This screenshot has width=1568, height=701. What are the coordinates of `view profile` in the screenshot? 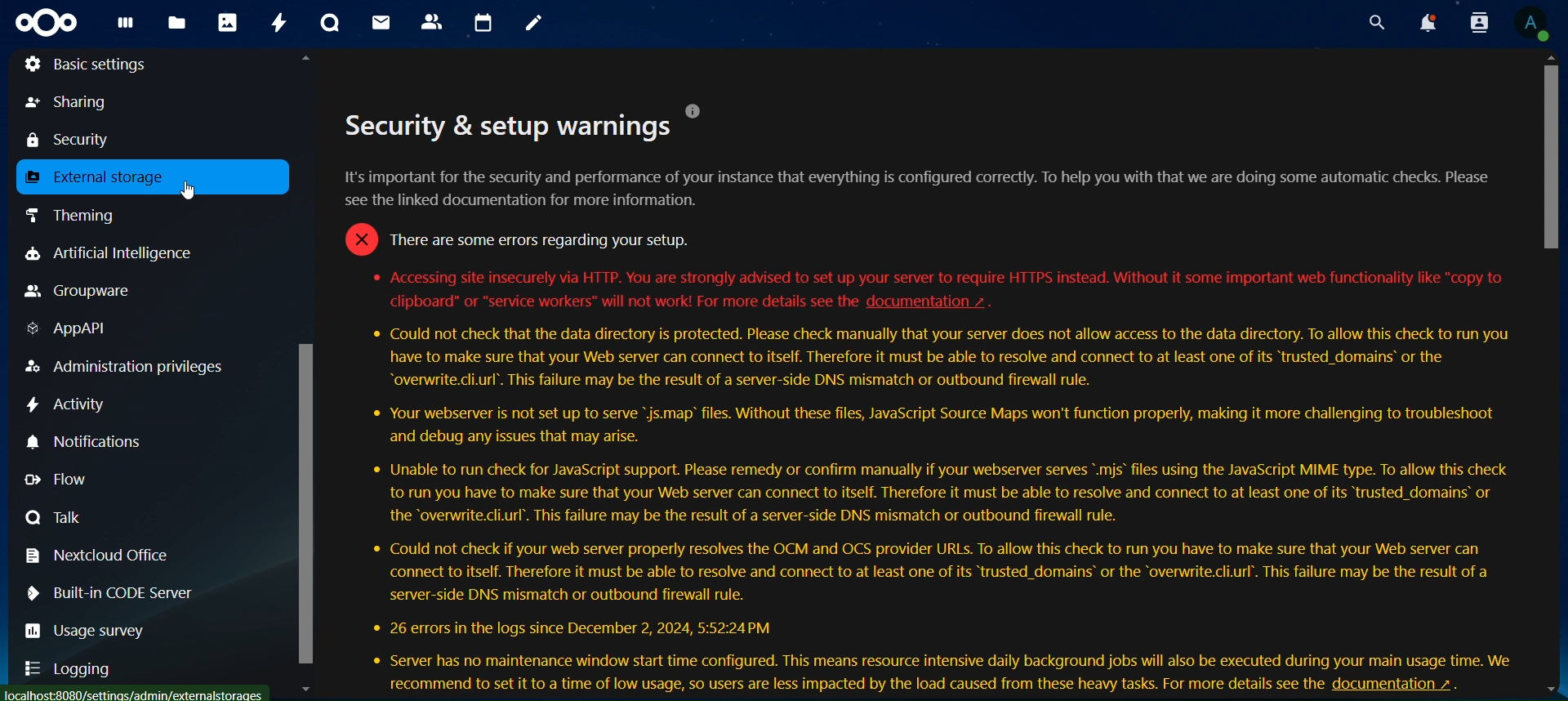 It's located at (1530, 25).